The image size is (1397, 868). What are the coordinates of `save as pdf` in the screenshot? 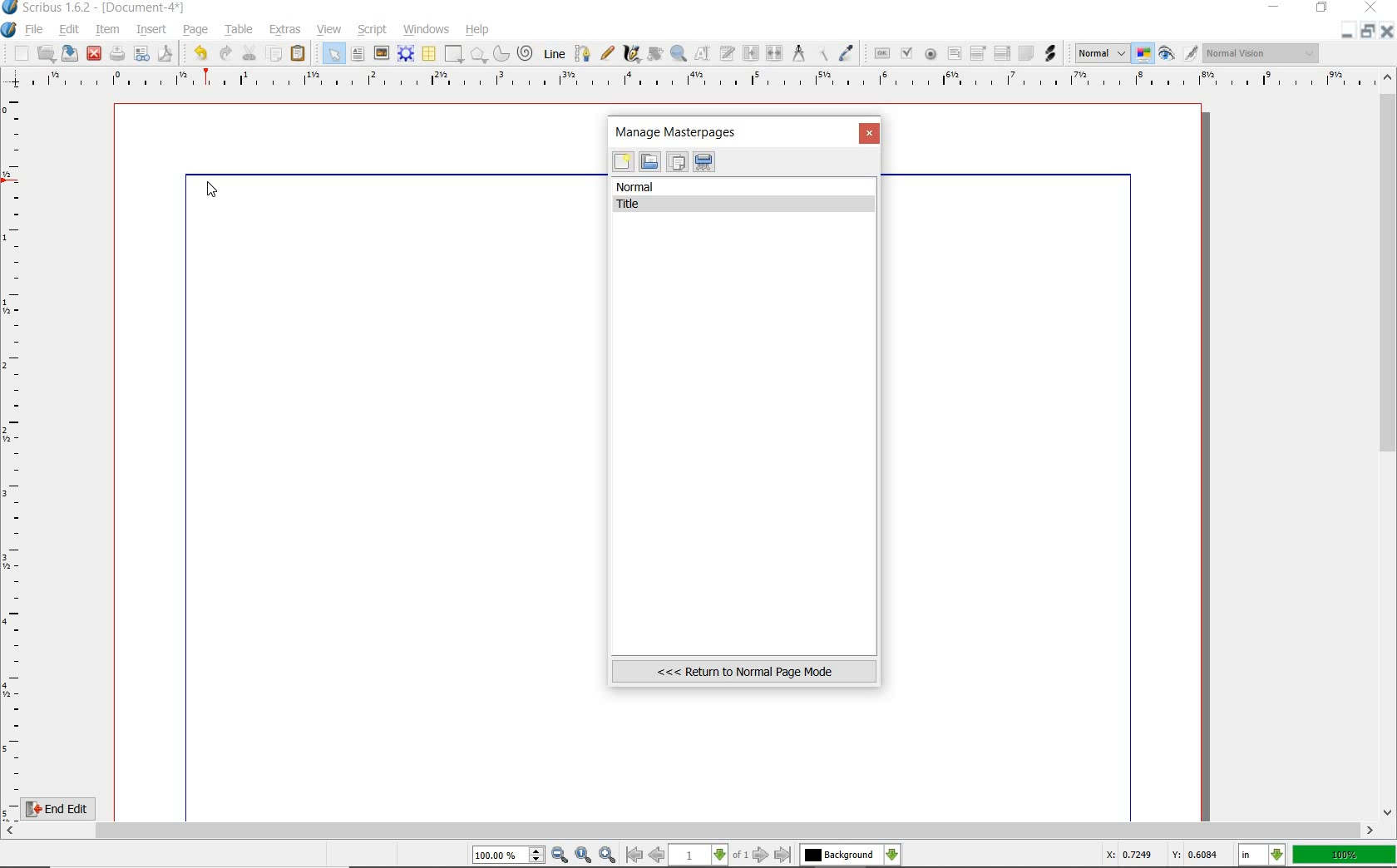 It's located at (164, 53).